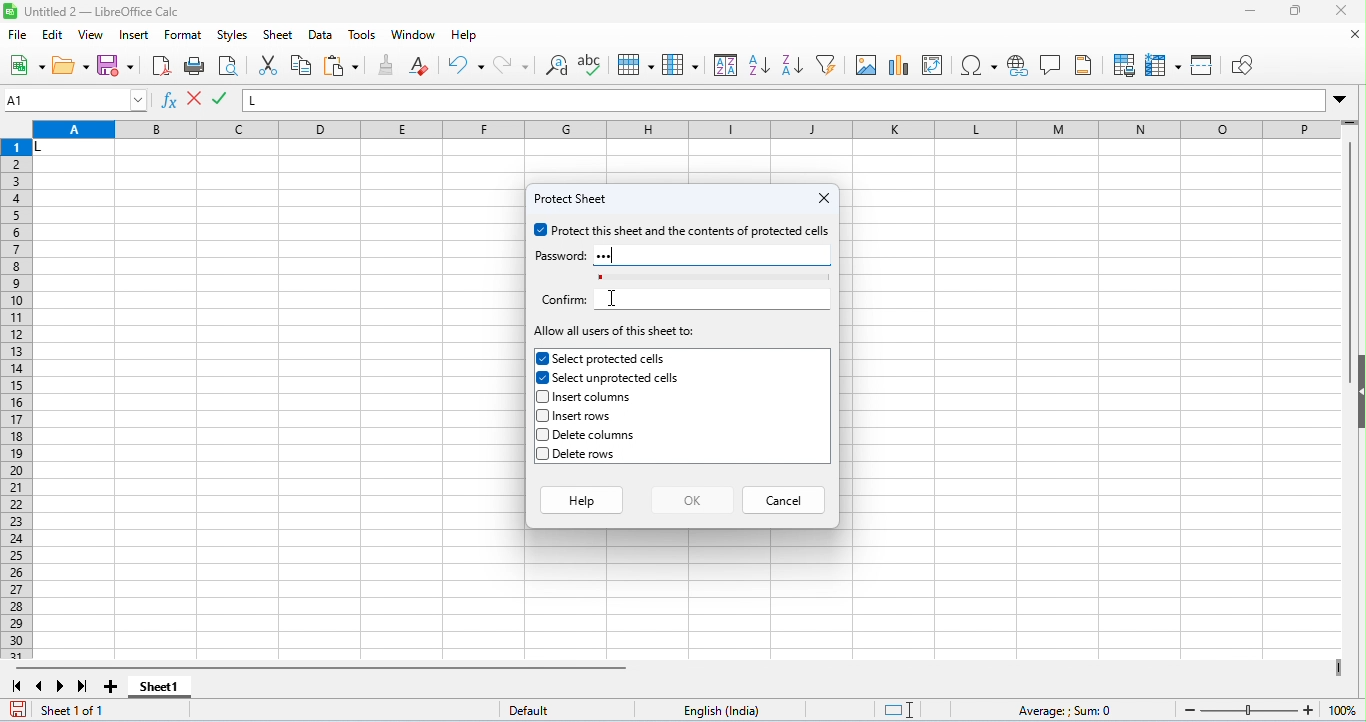 This screenshot has height=722, width=1366. What do you see at coordinates (726, 64) in the screenshot?
I see `sort` at bounding box center [726, 64].